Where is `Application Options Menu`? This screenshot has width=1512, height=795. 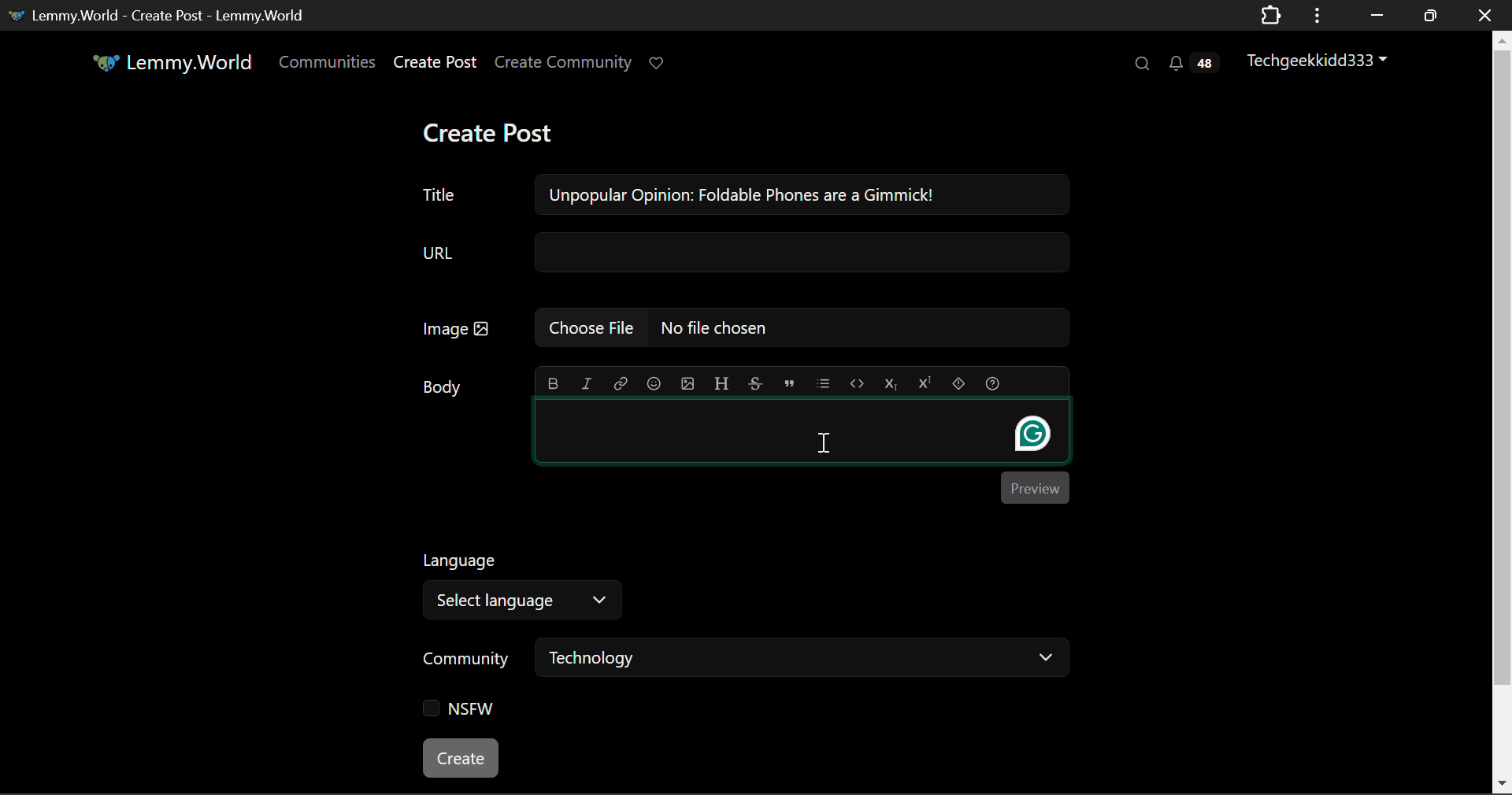 Application Options Menu is located at coordinates (1317, 14).